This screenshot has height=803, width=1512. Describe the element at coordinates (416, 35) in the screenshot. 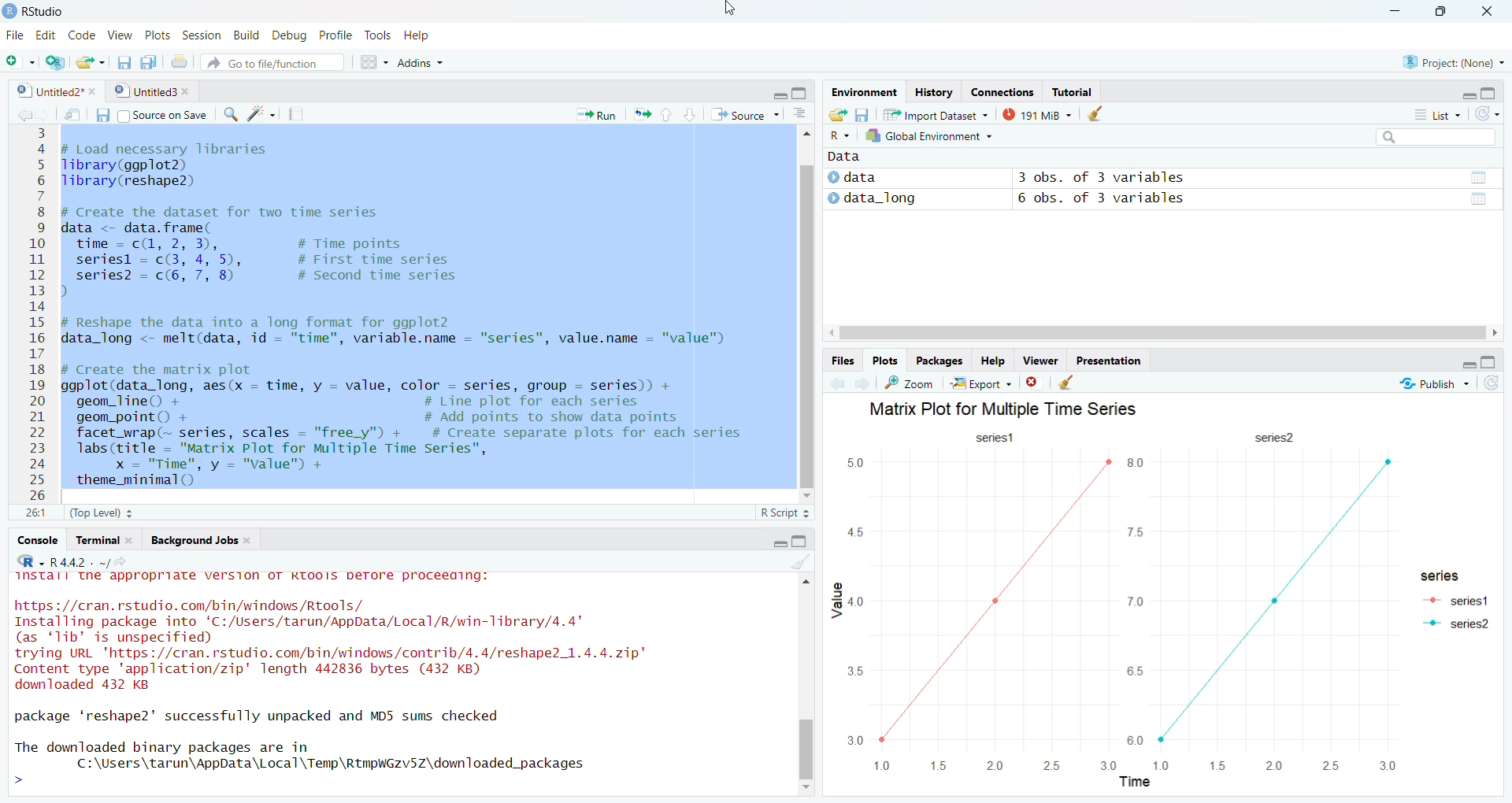

I see `Help` at that location.